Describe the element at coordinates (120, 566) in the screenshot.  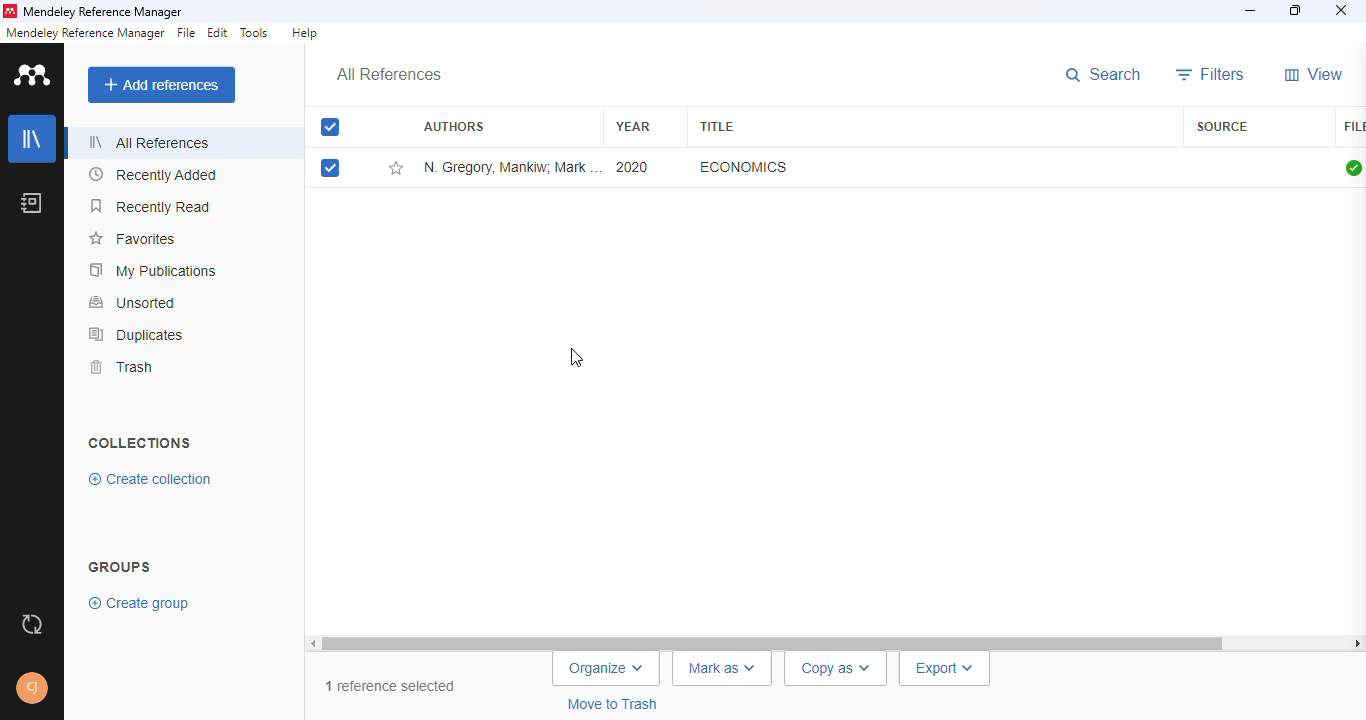
I see `group` at that location.